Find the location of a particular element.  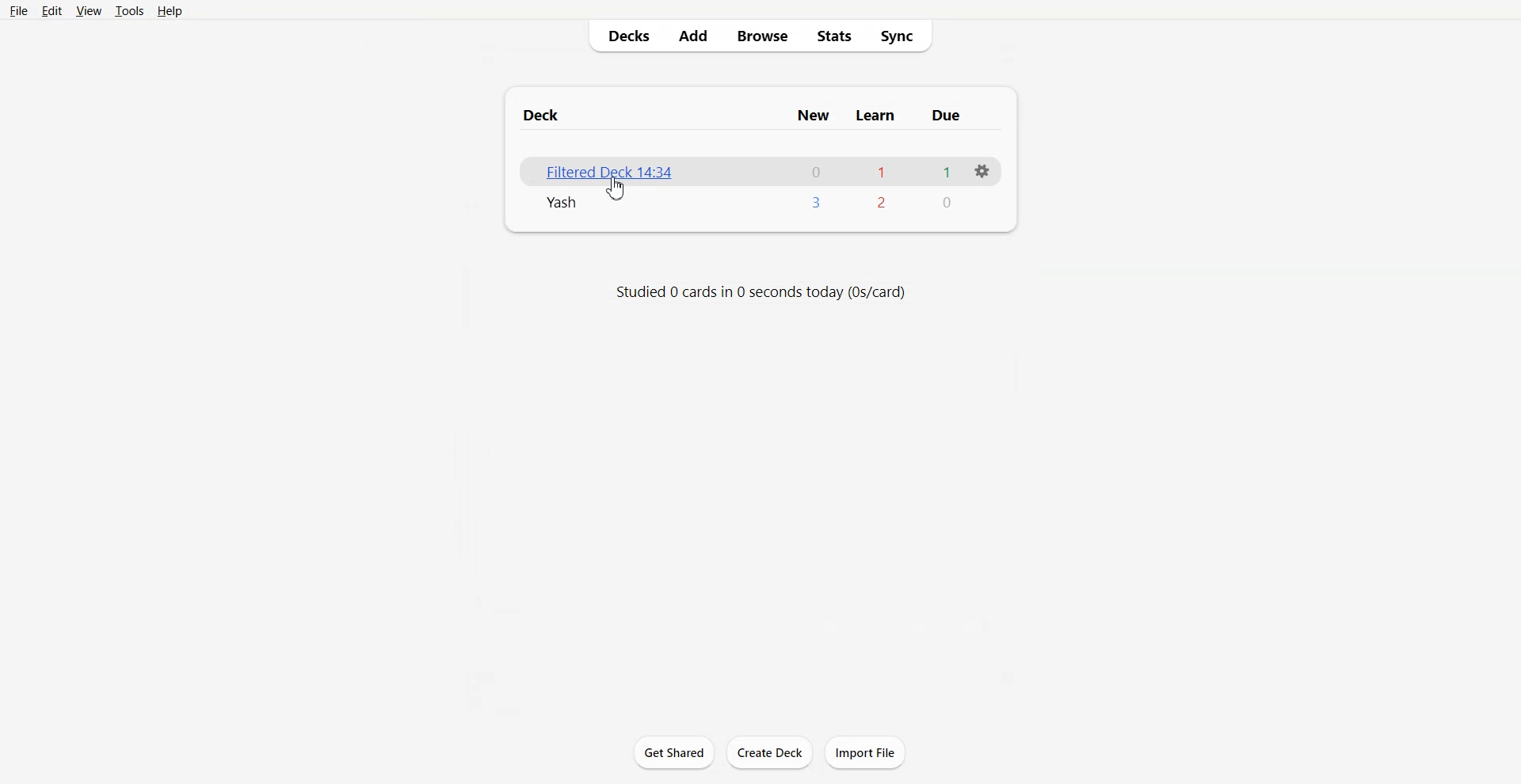

0 is located at coordinates (946, 202).